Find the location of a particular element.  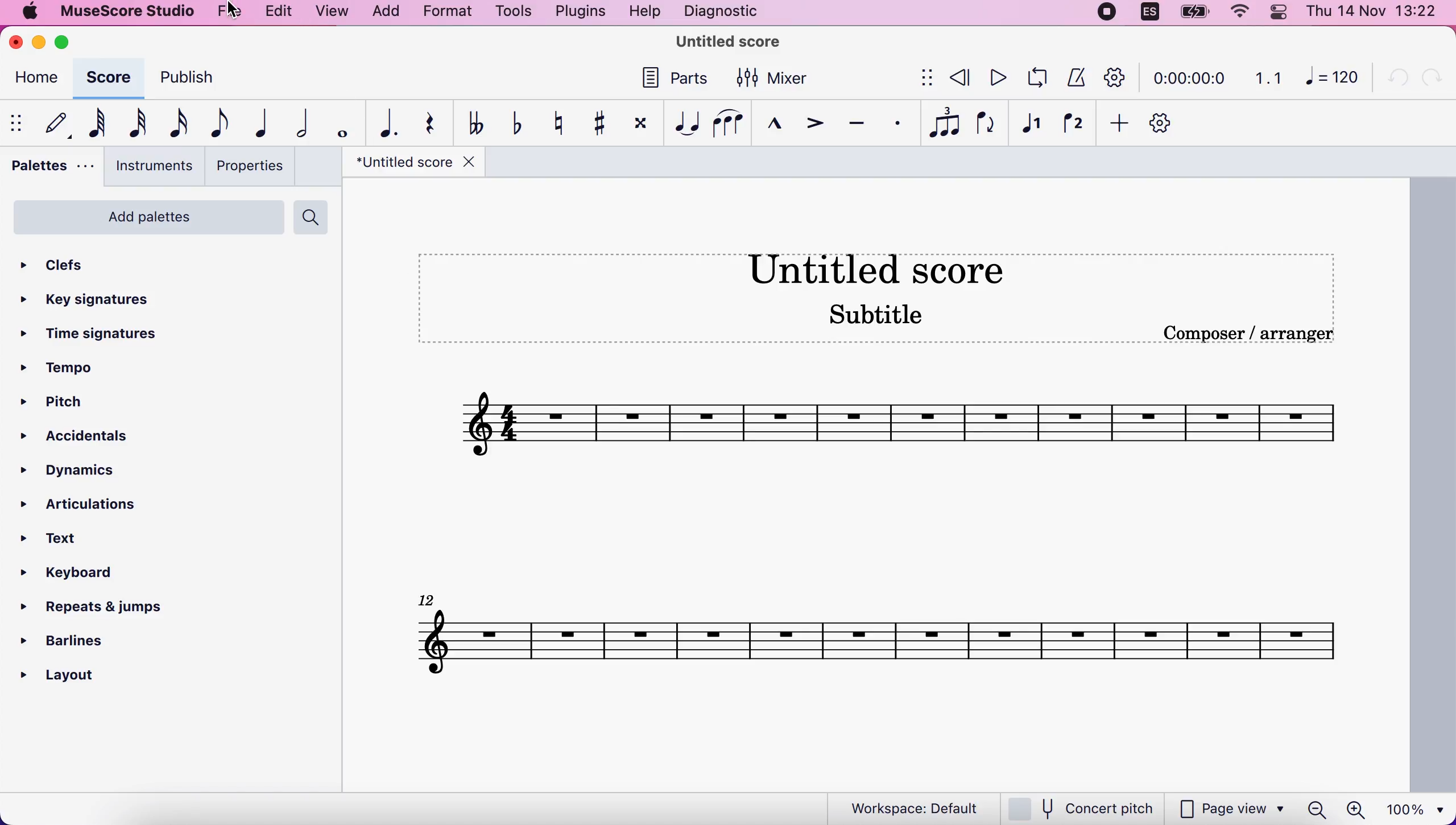

metronome is located at coordinates (1074, 78).